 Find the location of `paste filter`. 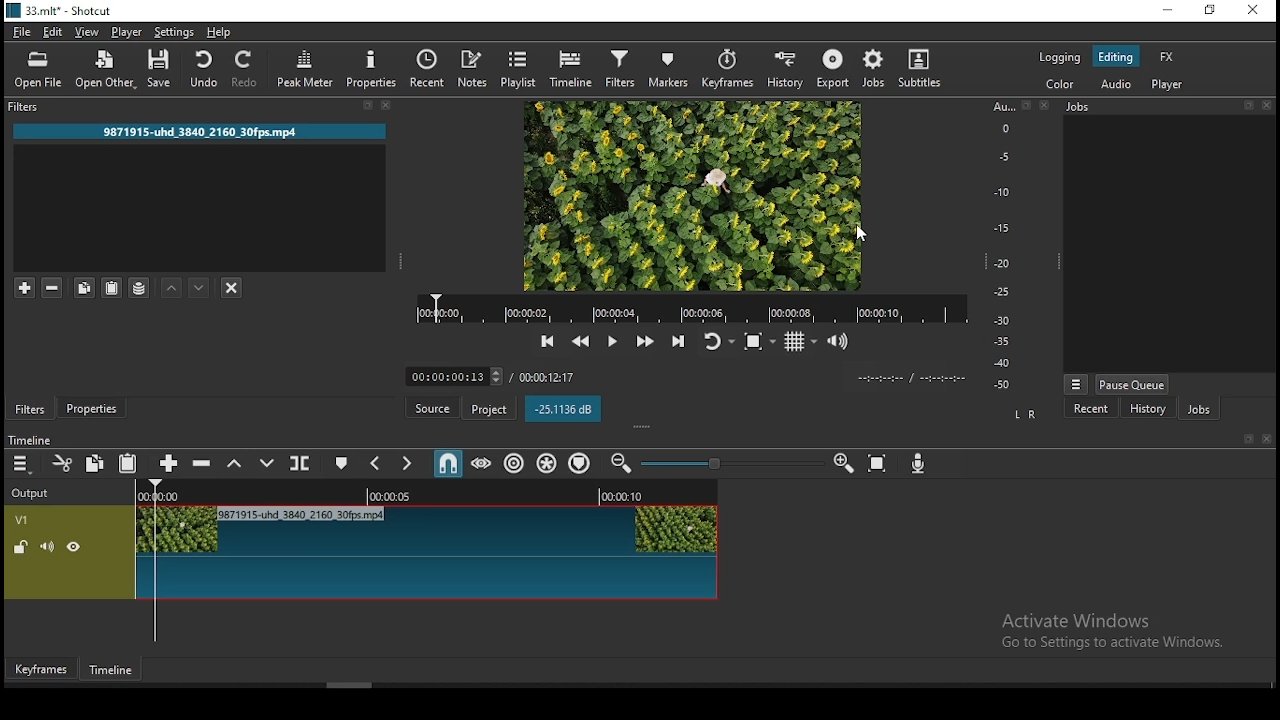

paste filter is located at coordinates (111, 287).